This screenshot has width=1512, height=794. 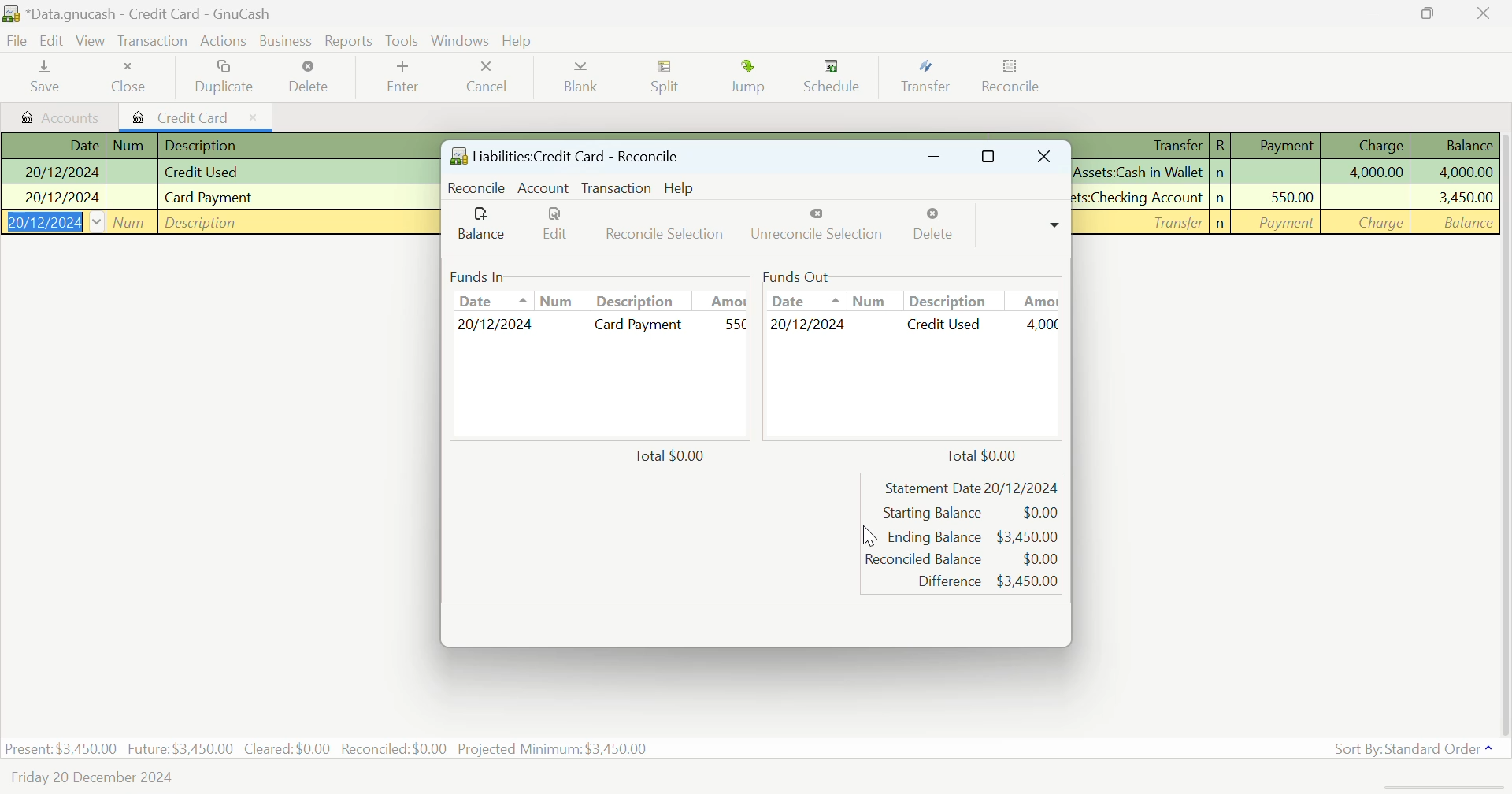 I want to click on Ending Balance $3,450.00, so click(x=974, y=536).